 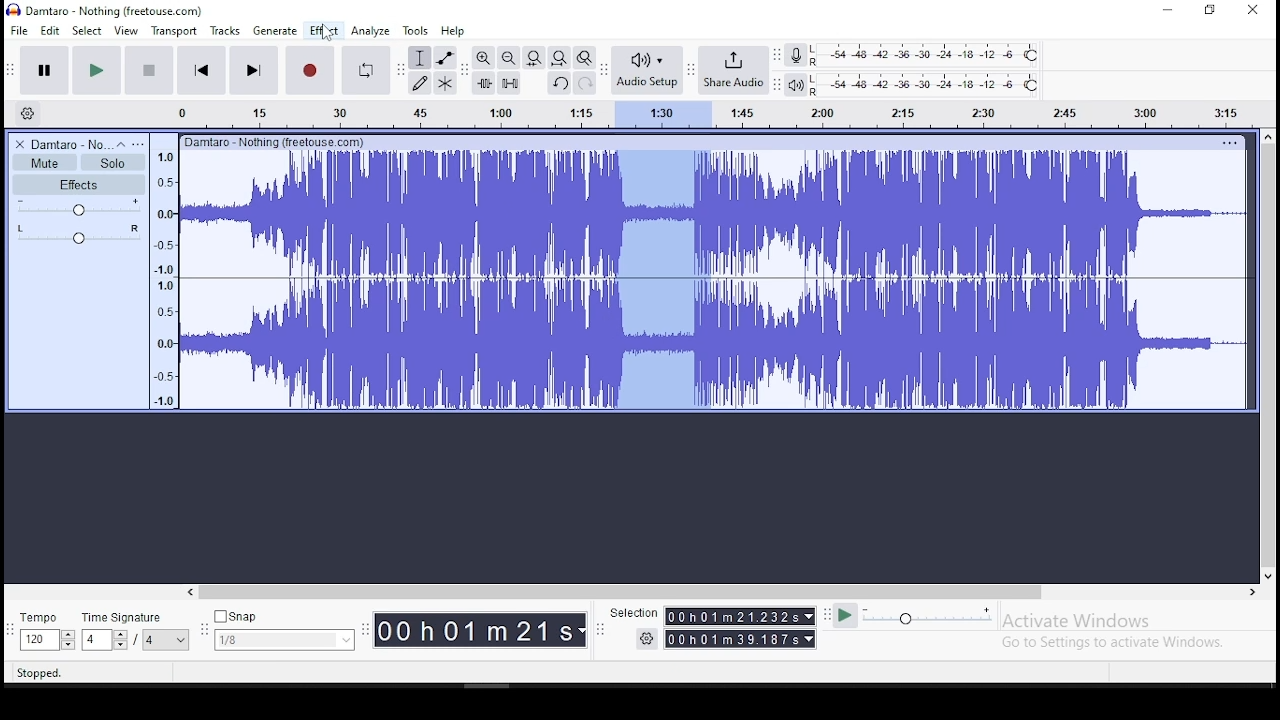 I want to click on drop down, so click(x=67, y=640).